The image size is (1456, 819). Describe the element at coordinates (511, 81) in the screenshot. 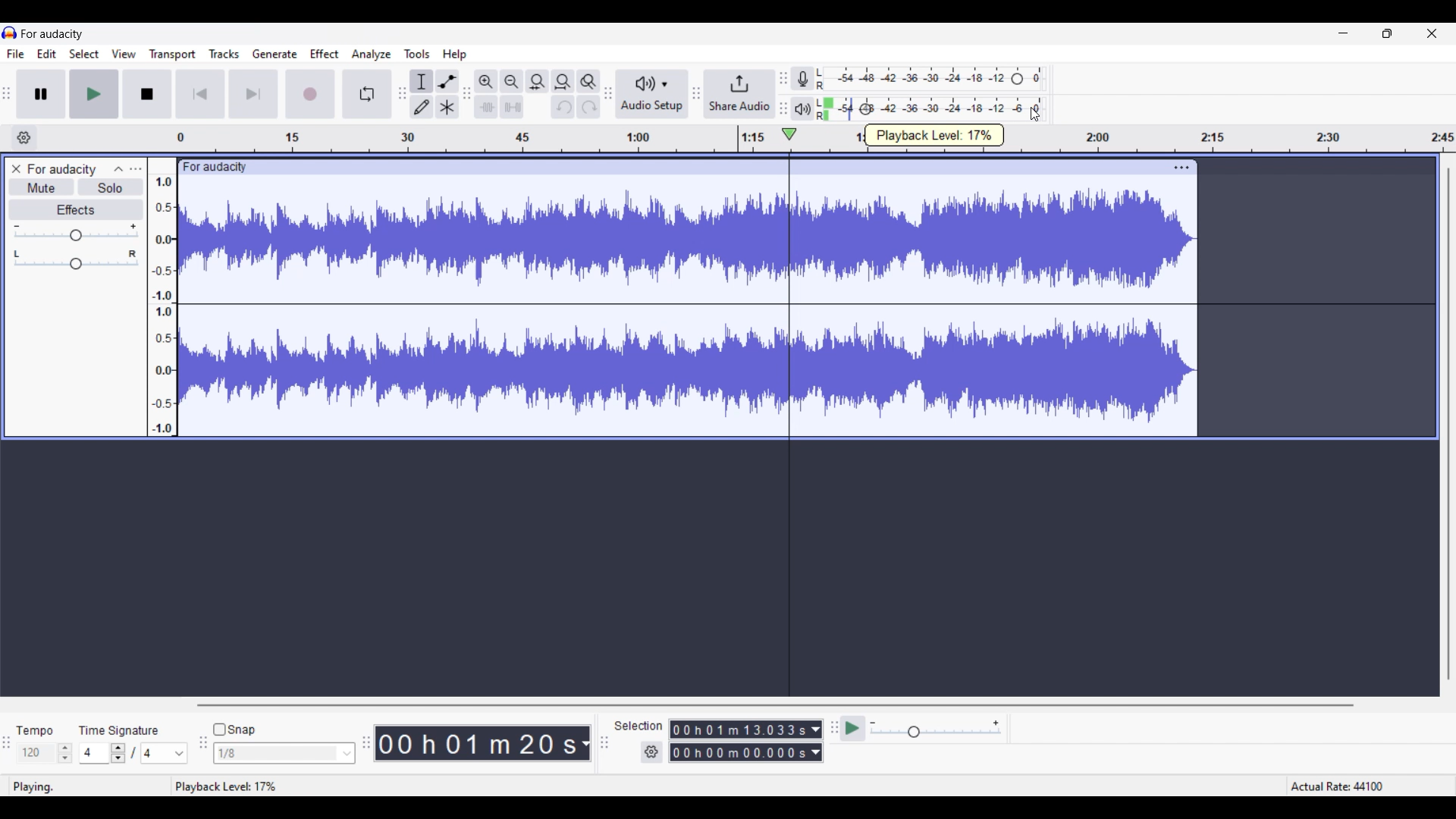

I see `Zoom out` at that location.